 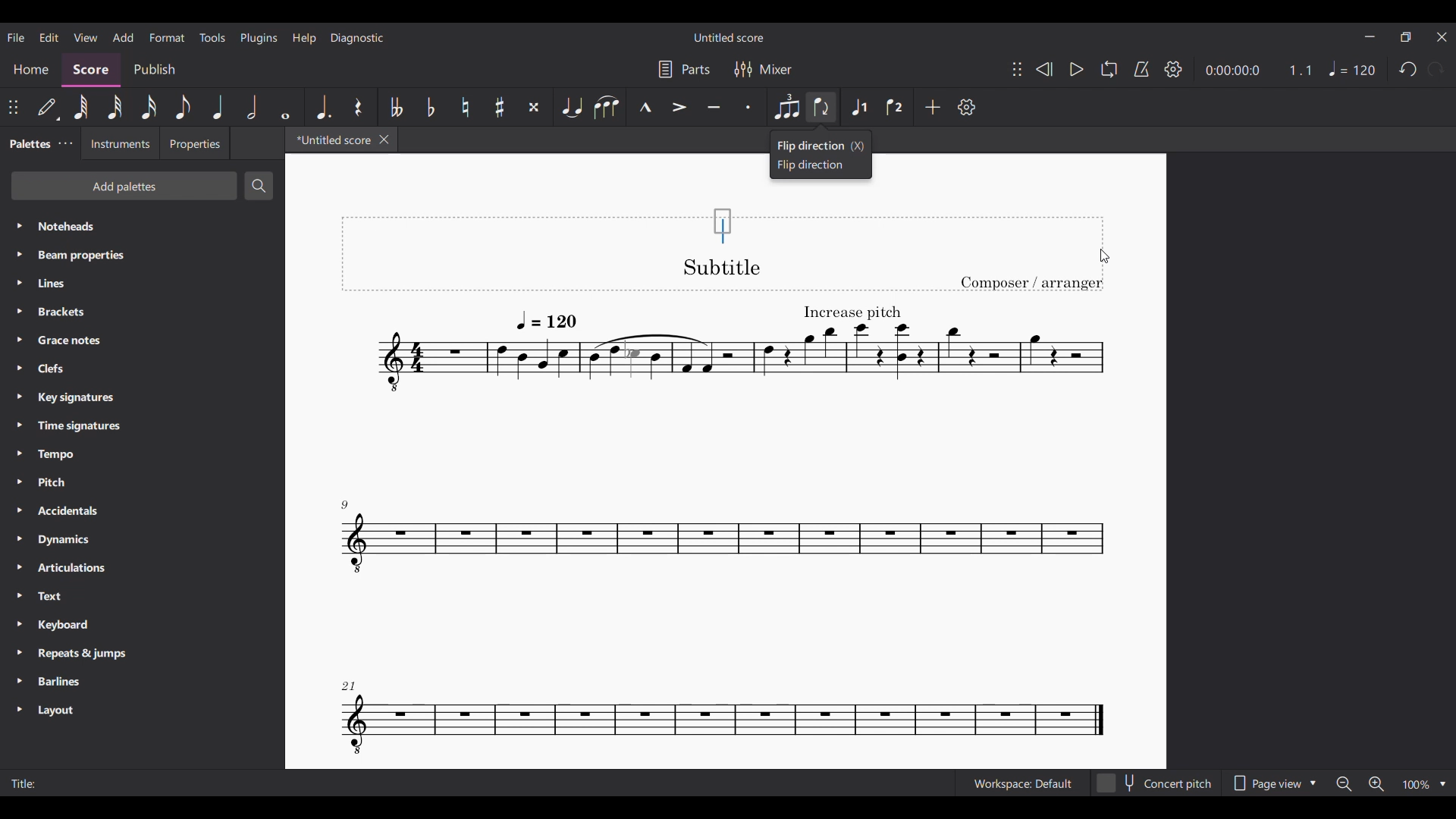 I want to click on Barlines, so click(x=143, y=682).